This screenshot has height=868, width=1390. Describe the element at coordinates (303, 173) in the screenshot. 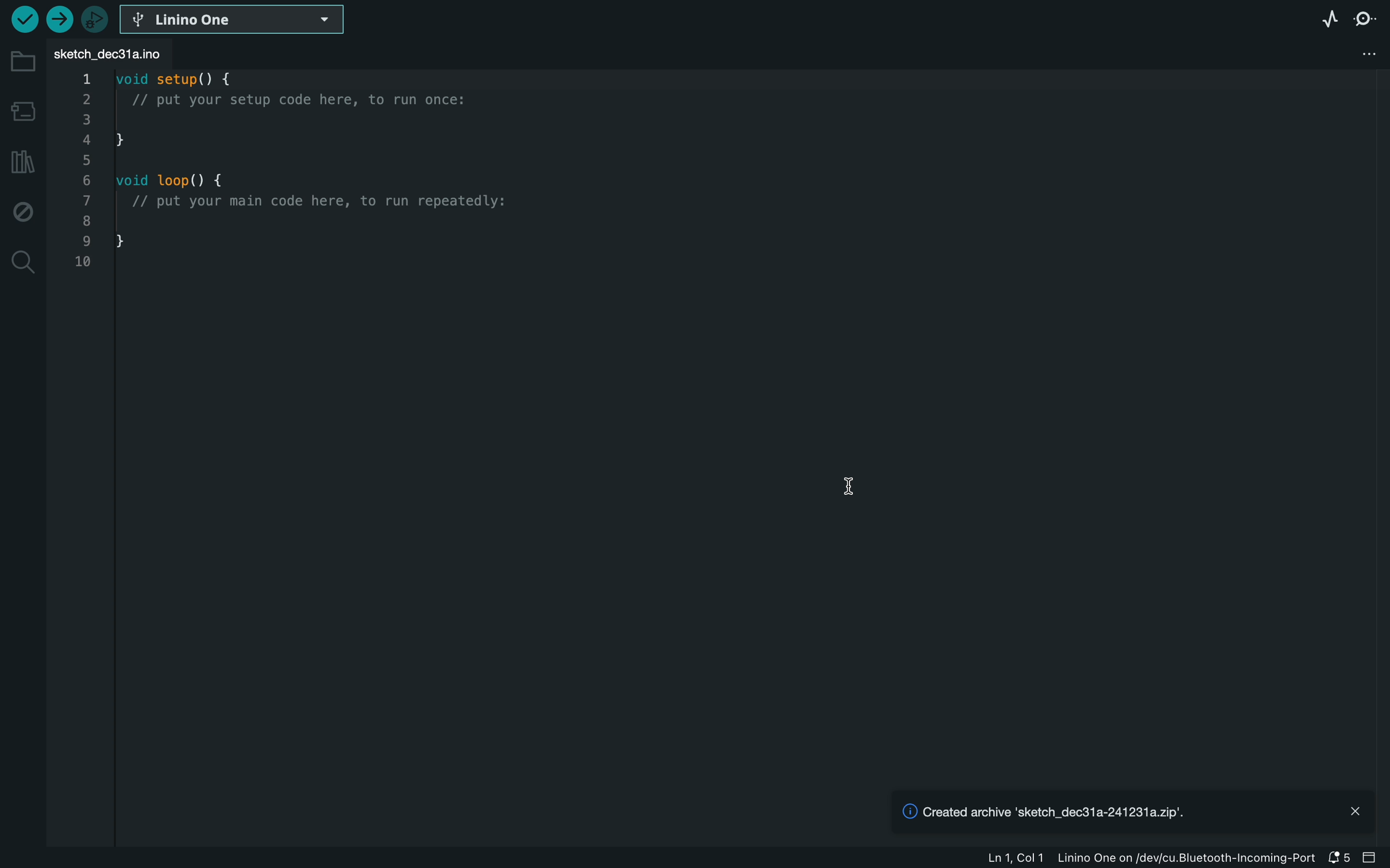

I see `code` at that location.